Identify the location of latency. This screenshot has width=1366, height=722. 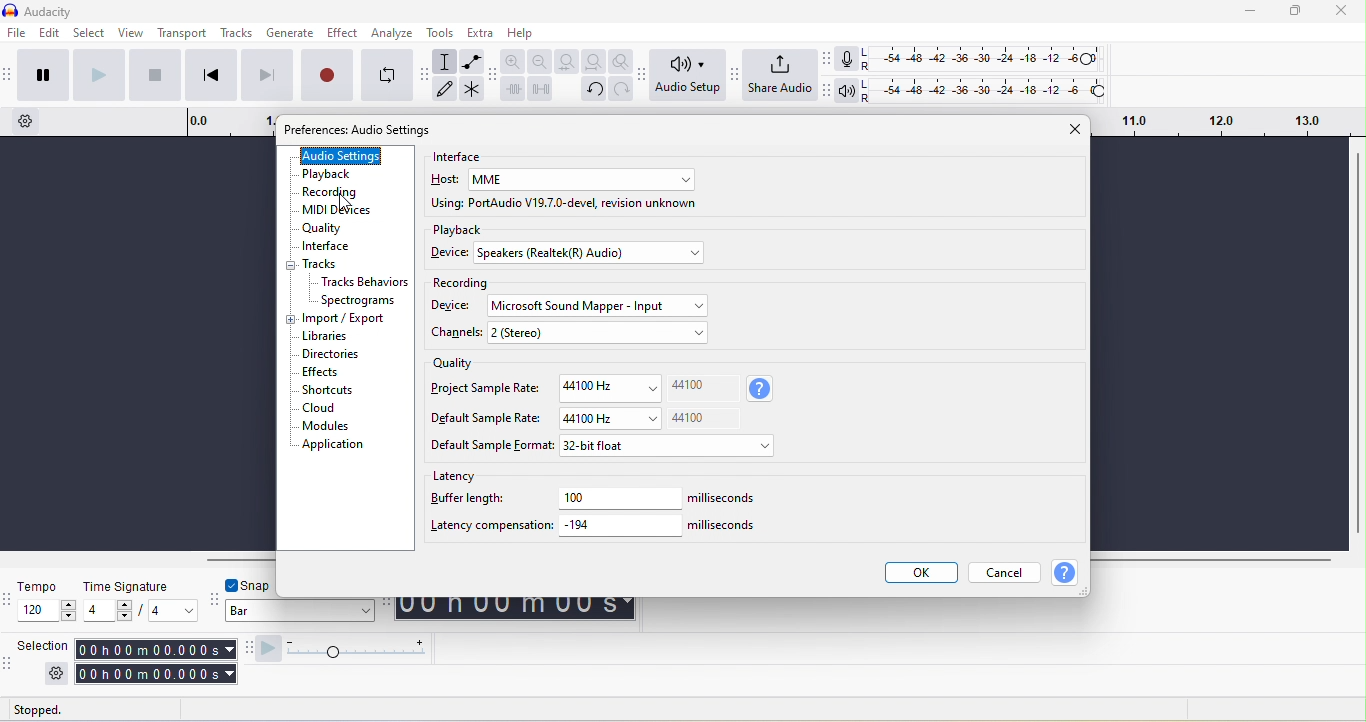
(468, 475).